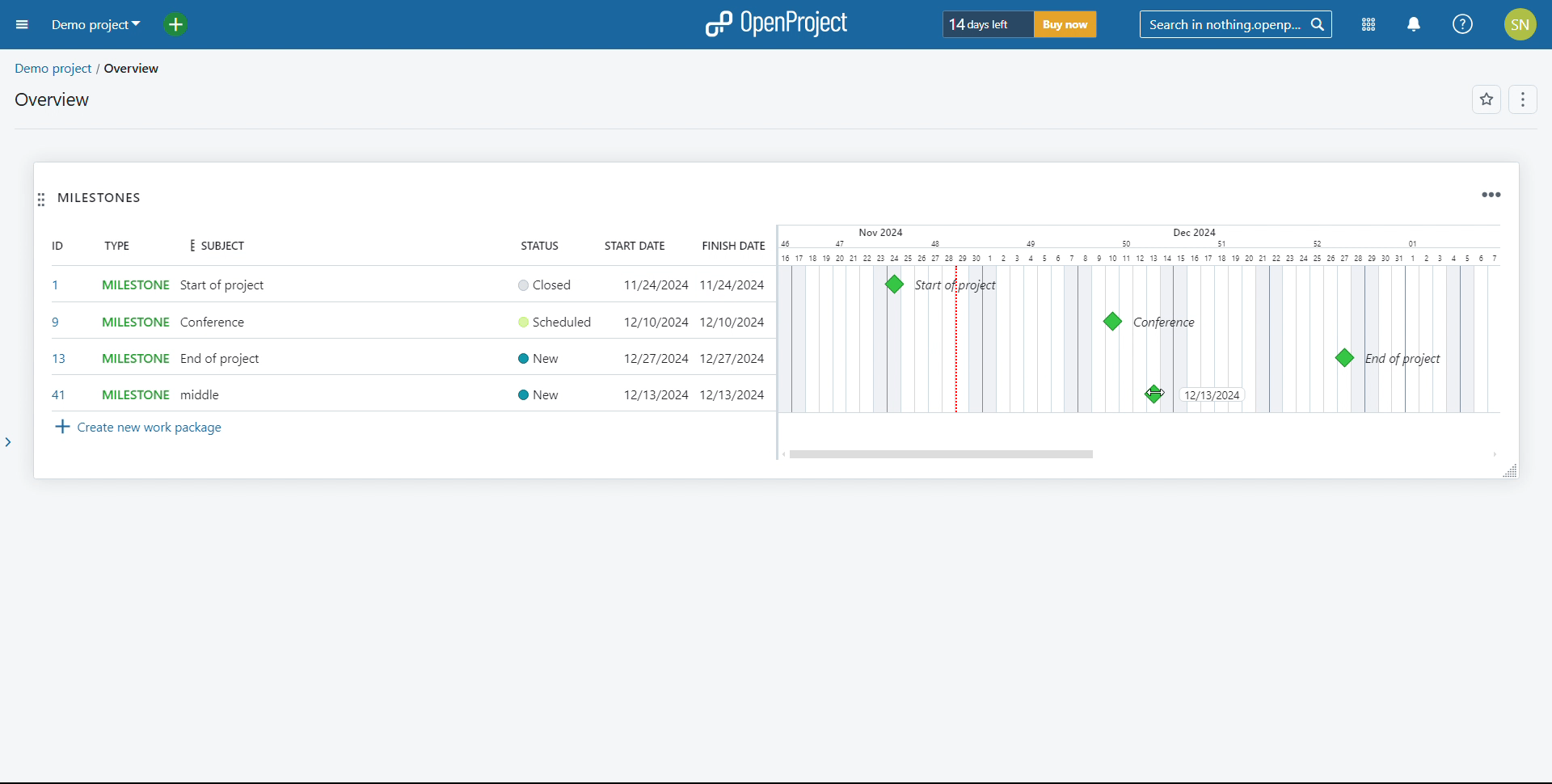  Describe the element at coordinates (1491, 453) in the screenshot. I see `scroll right` at that location.